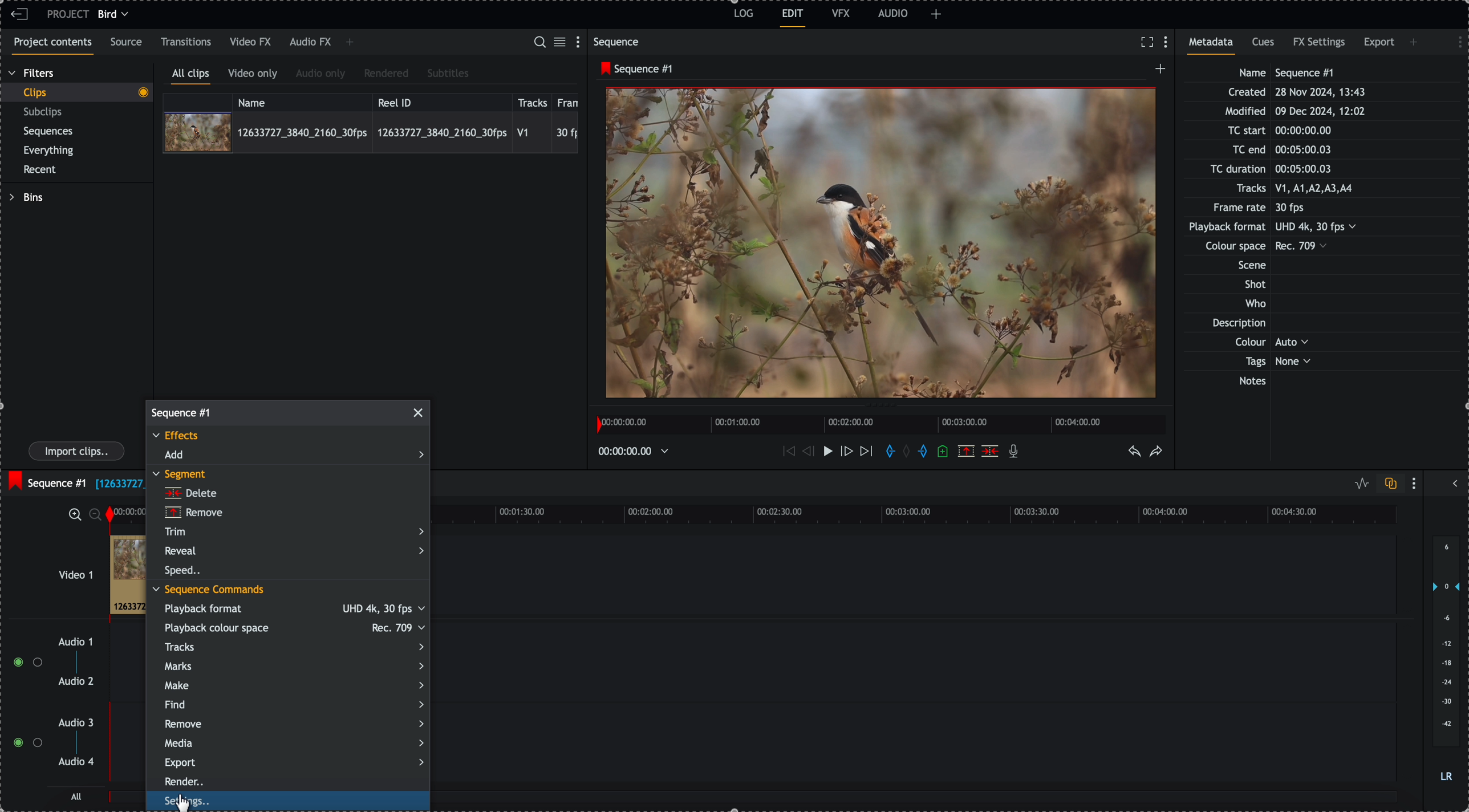 This screenshot has height=812, width=1469. I want to click on bins, so click(26, 197).